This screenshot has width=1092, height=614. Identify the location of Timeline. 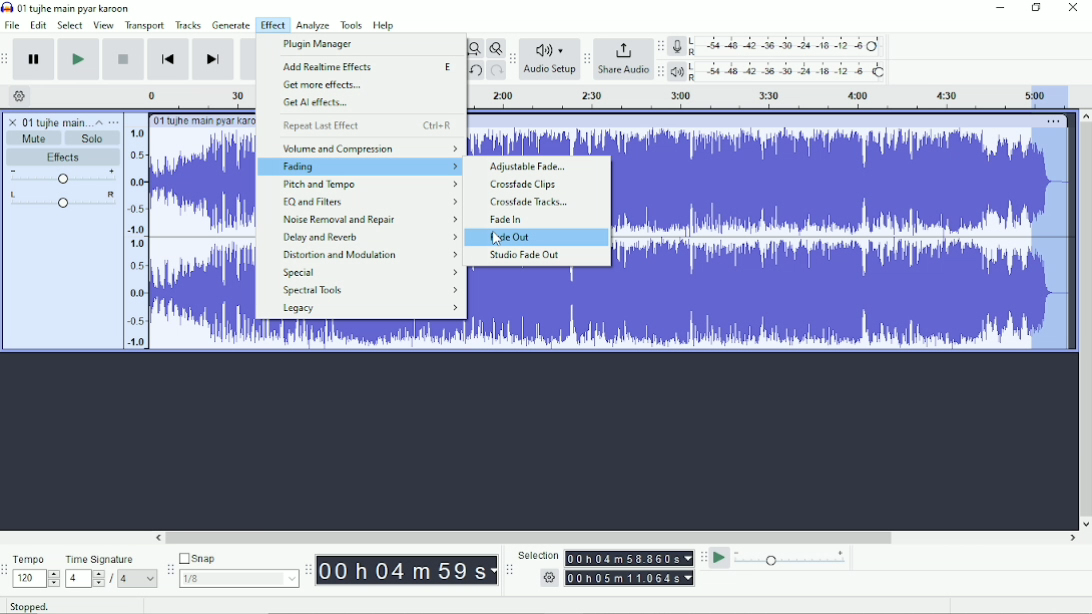
(189, 97).